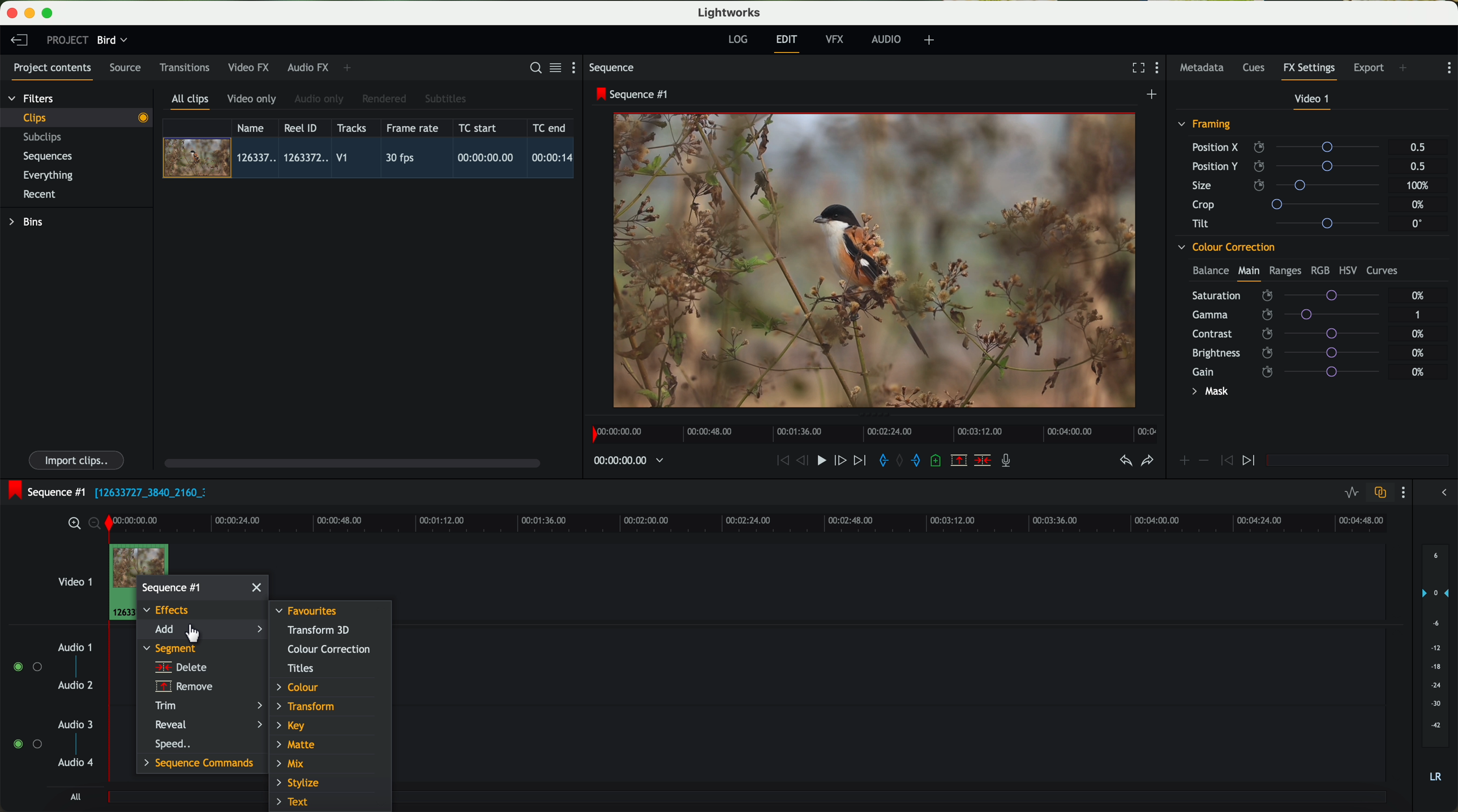 The height and width of the screenshot is (812, 1458). Describe the element at coordinates (788, 42) in the screenshot. I see `edit` at that location.